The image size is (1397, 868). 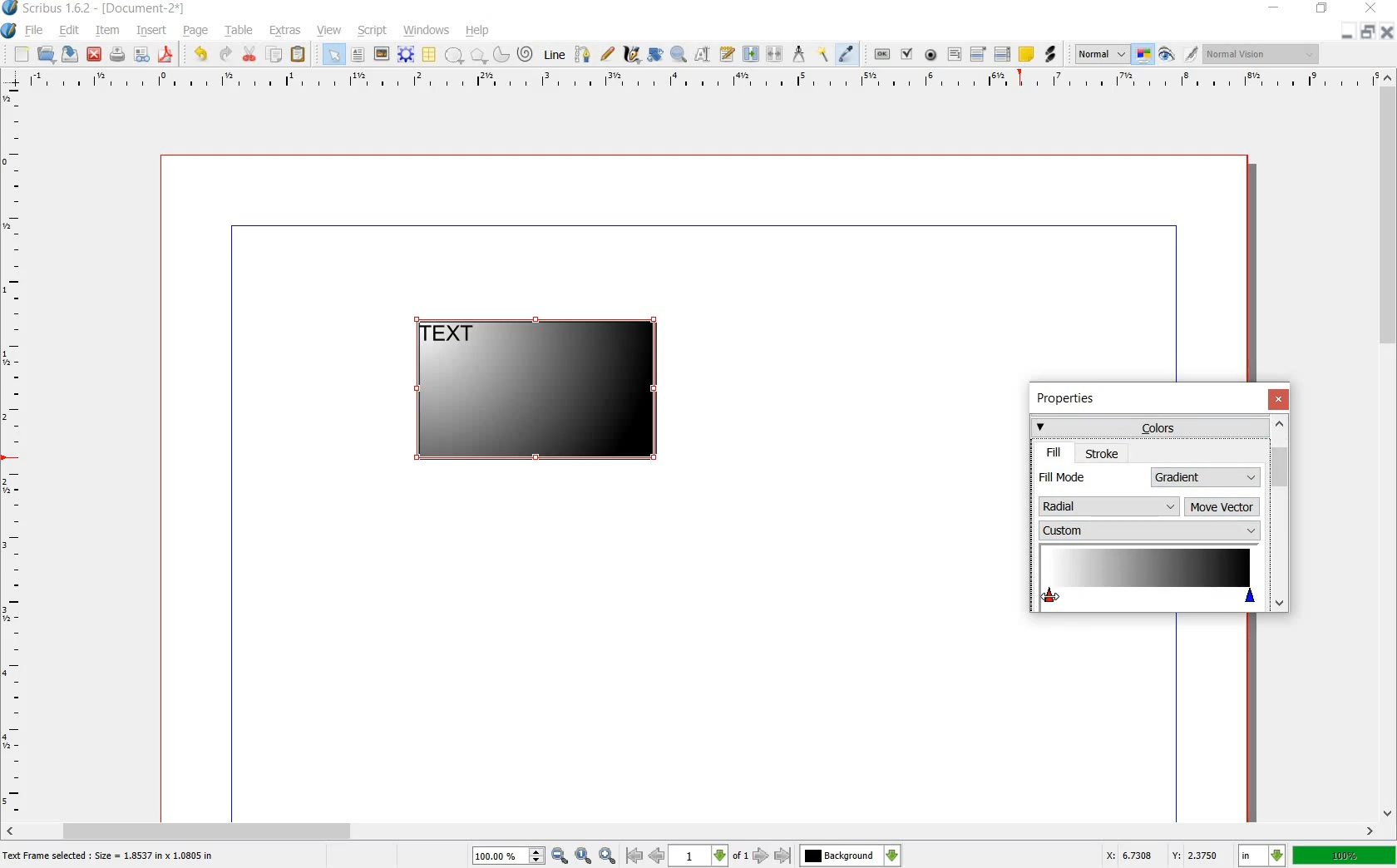 I want to click on preflight verifier, so click(x=141, y=55).